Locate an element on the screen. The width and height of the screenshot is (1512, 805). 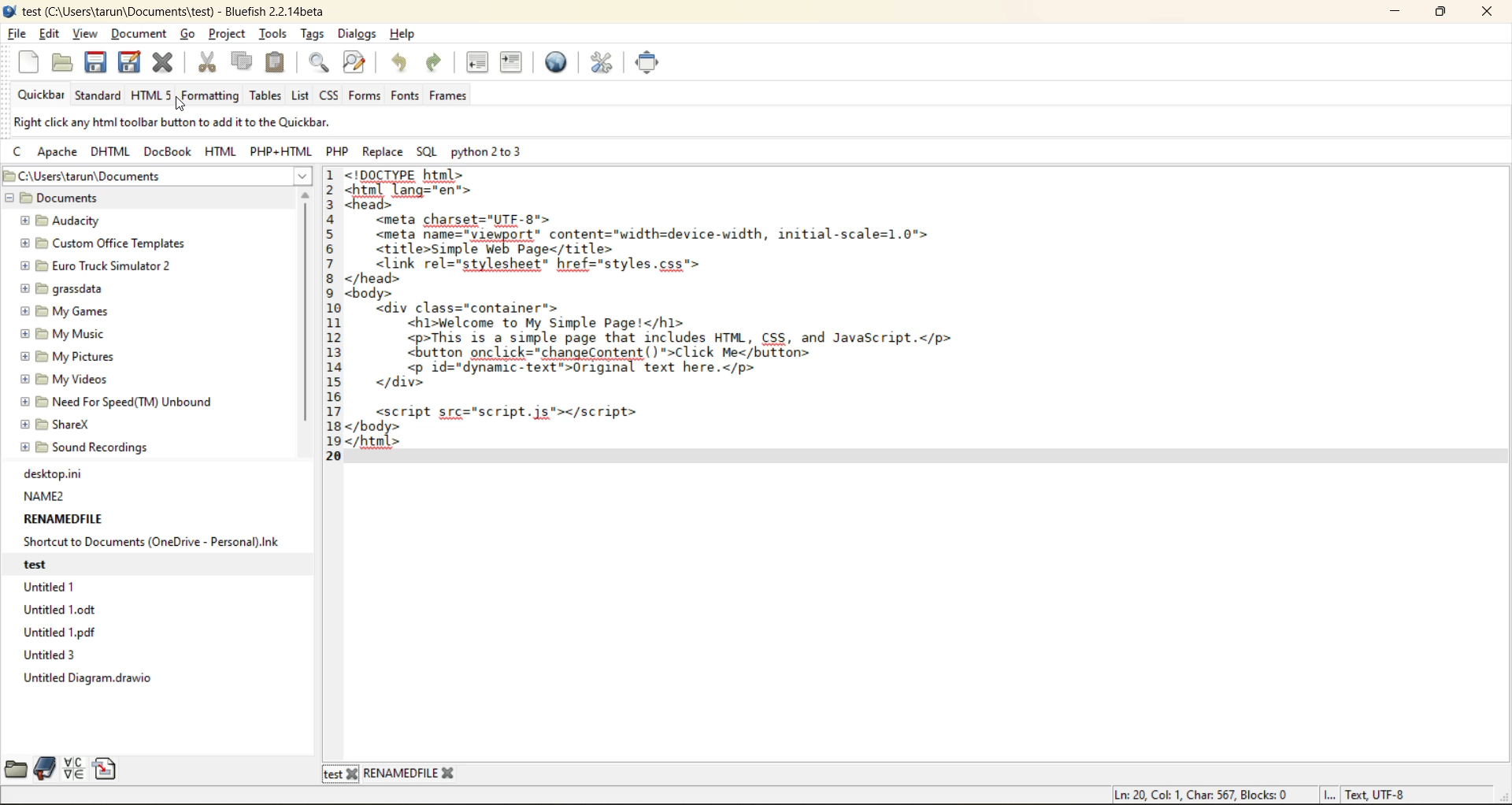
file location is located at coordinates (133, 176).